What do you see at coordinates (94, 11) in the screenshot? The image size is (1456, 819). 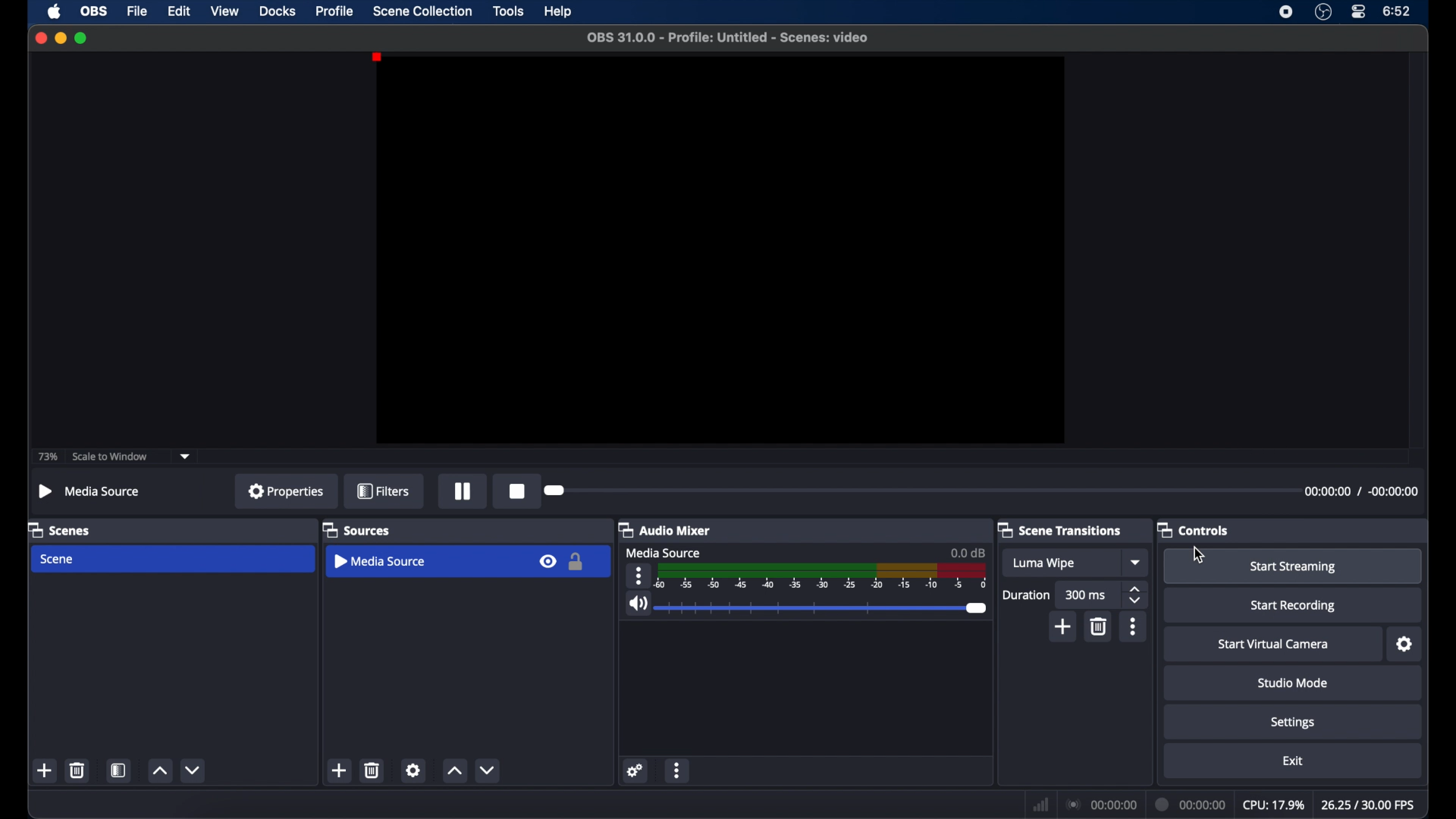 I see `obs` at bounding box center [94, 11].